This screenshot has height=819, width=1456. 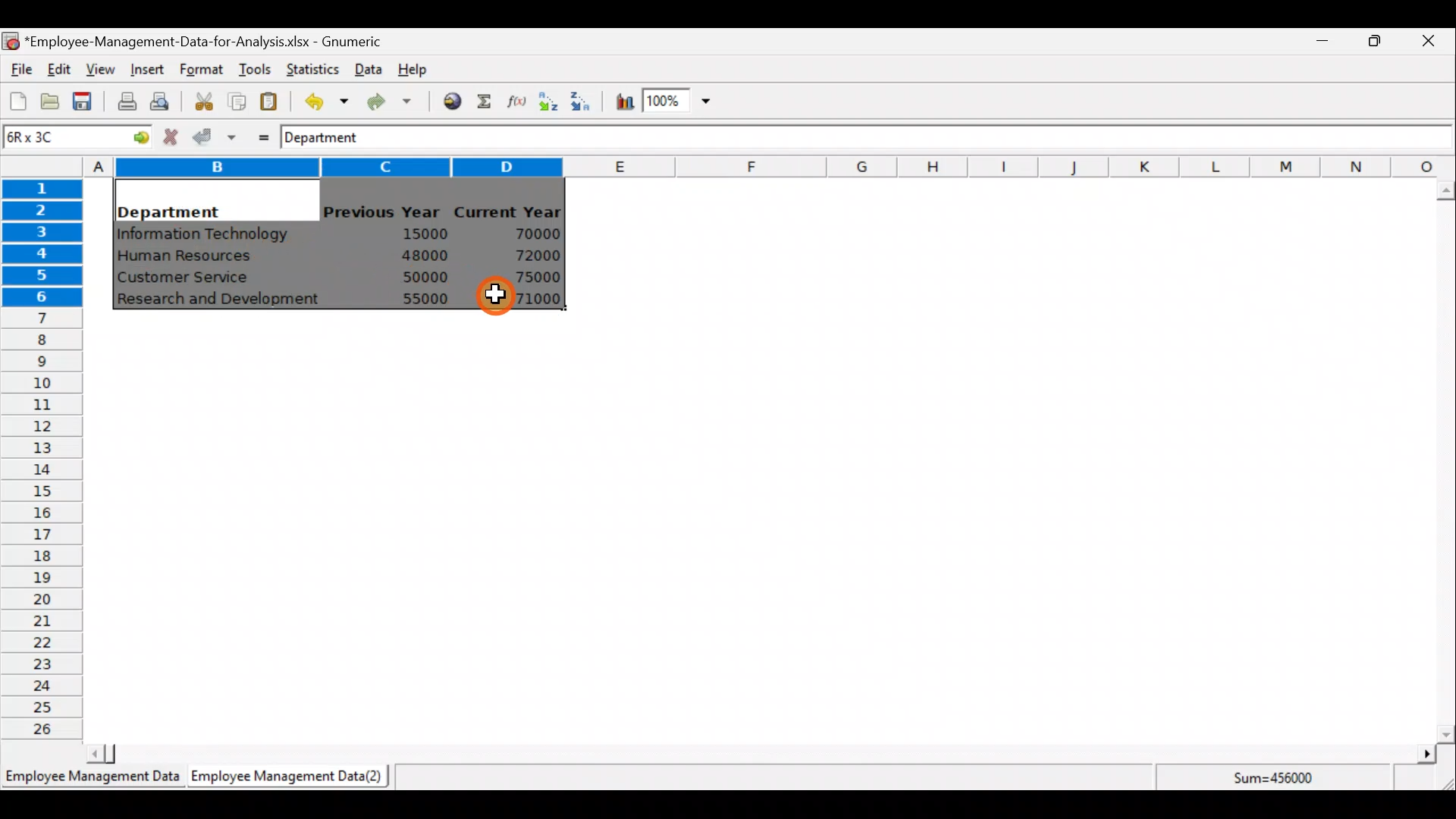 I want to click on Zoom, so click(x=679, y=103).